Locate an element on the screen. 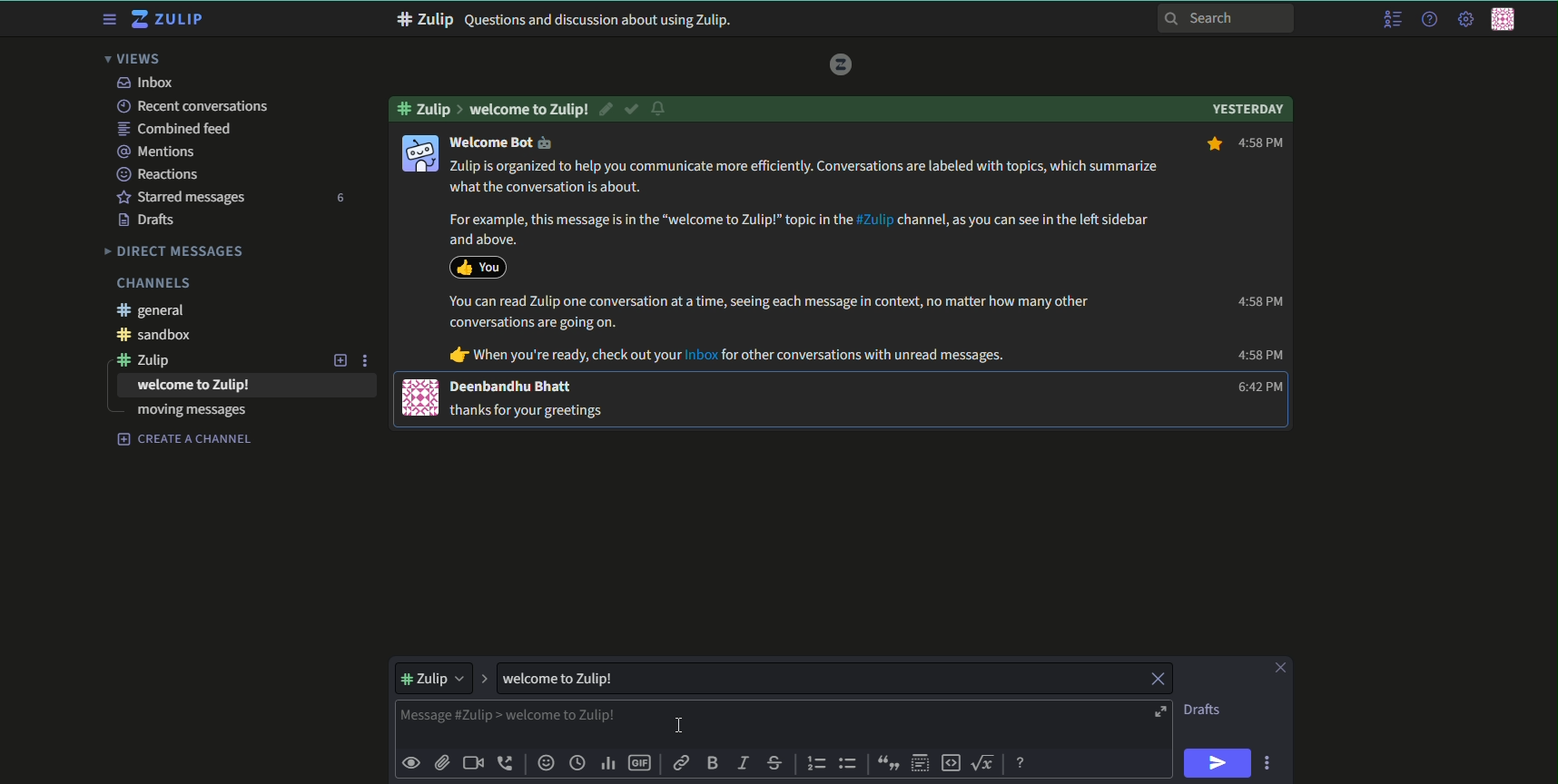  icon is located at coordinates (478, 266).